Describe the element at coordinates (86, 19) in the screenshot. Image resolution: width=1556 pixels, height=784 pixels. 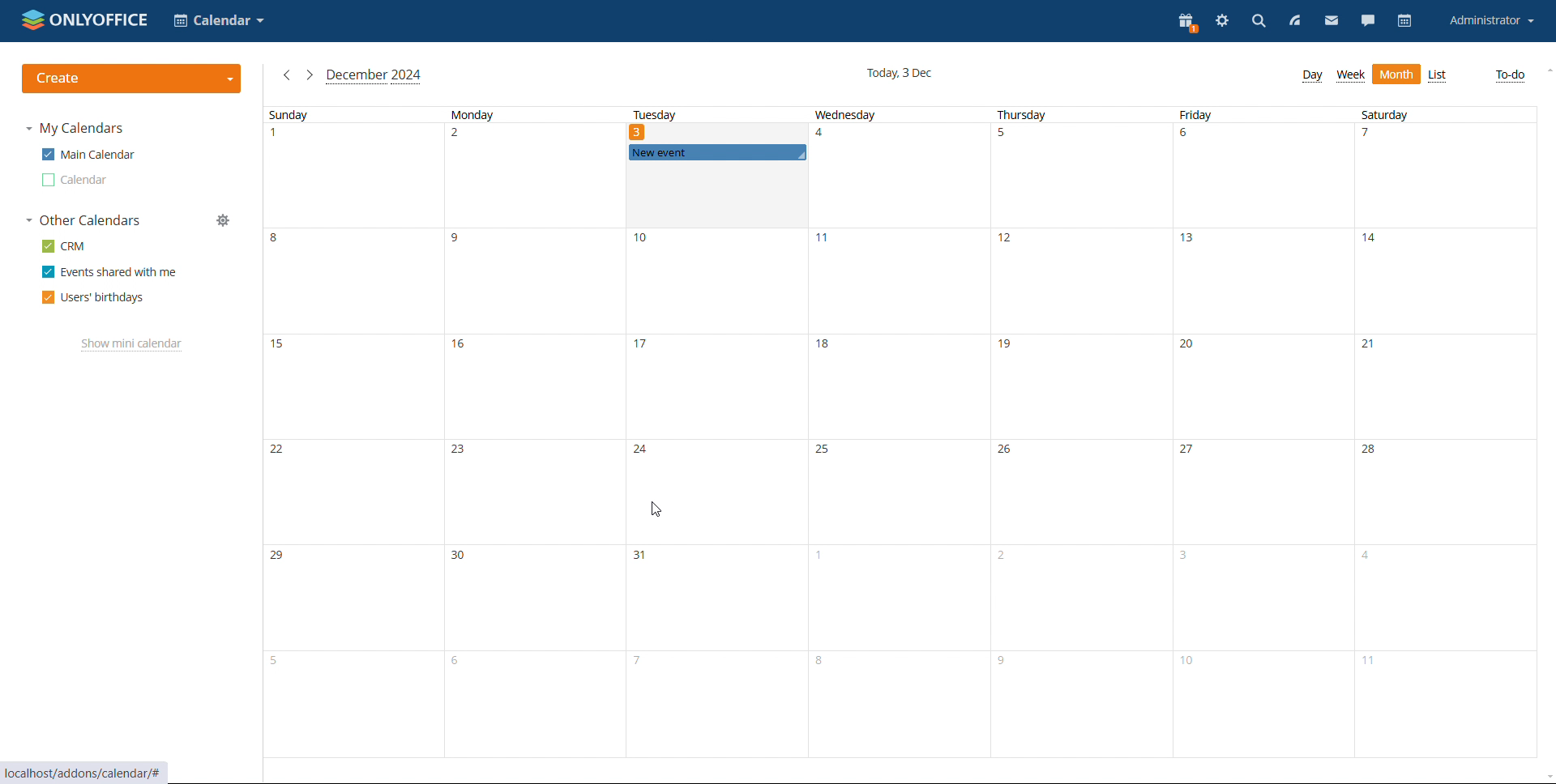
I see `logo` at that location.